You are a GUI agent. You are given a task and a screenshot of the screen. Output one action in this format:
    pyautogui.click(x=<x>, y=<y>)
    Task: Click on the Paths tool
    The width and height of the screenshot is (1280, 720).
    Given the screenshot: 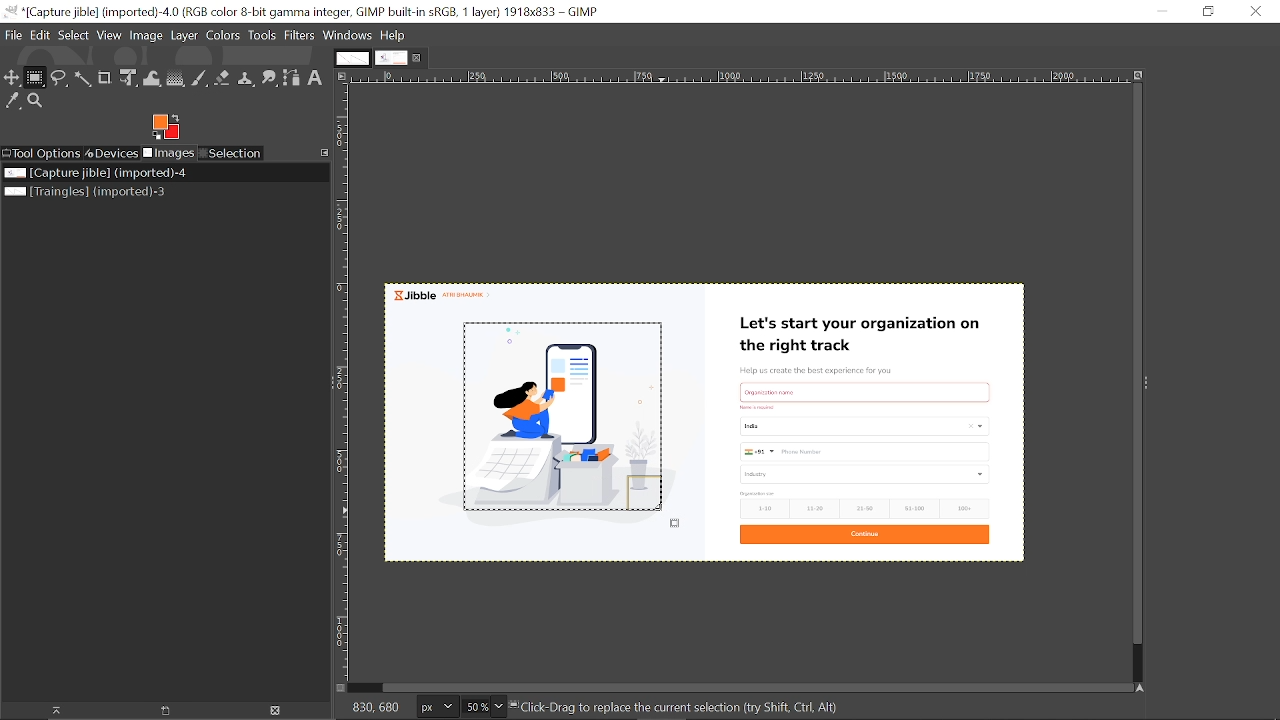 What is the action you would take?
    pyautogui.click(x=292, y=78)
    